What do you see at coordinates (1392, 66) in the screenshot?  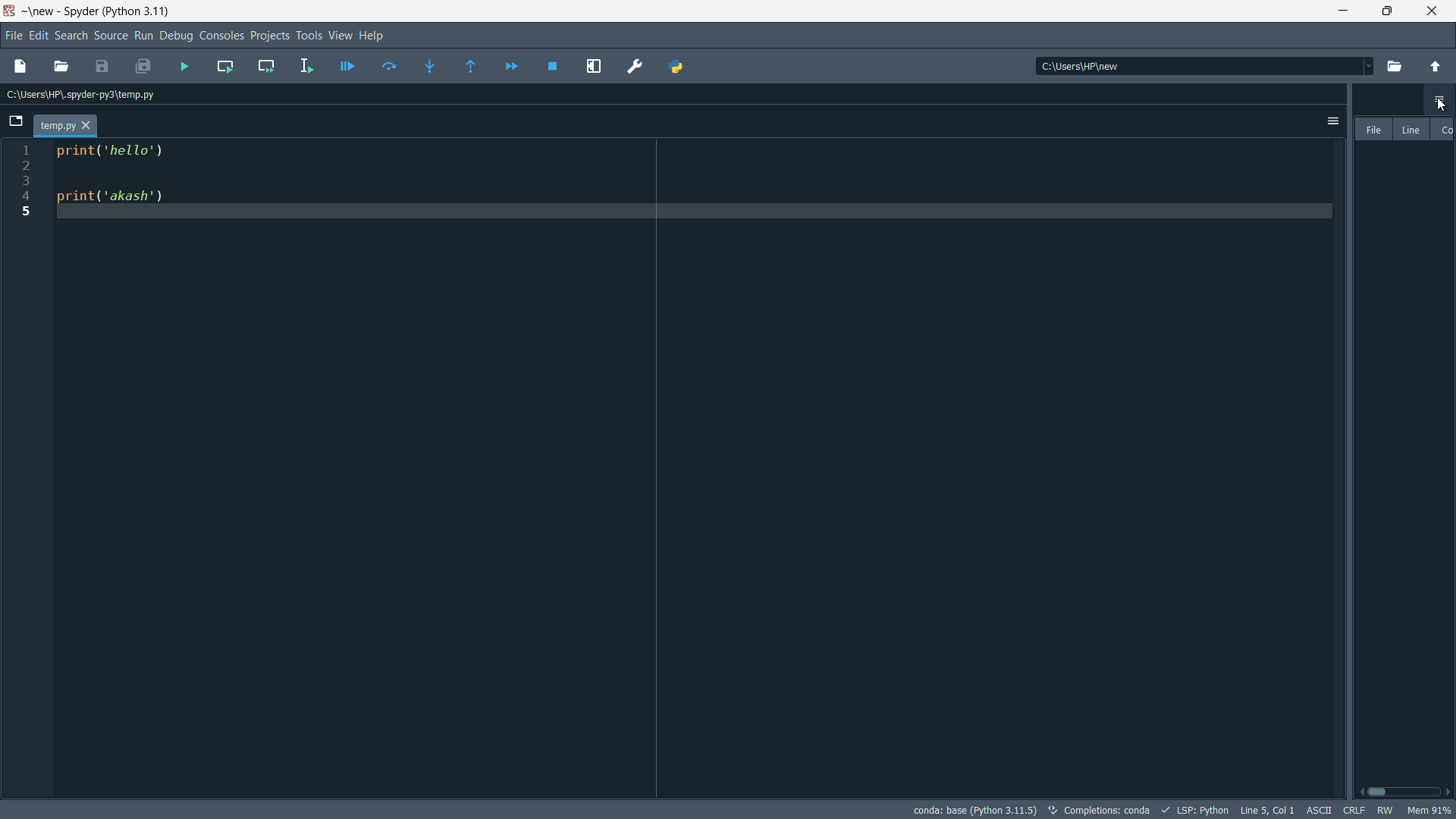 I see `browse directory` at bounding box center [1392, 66].